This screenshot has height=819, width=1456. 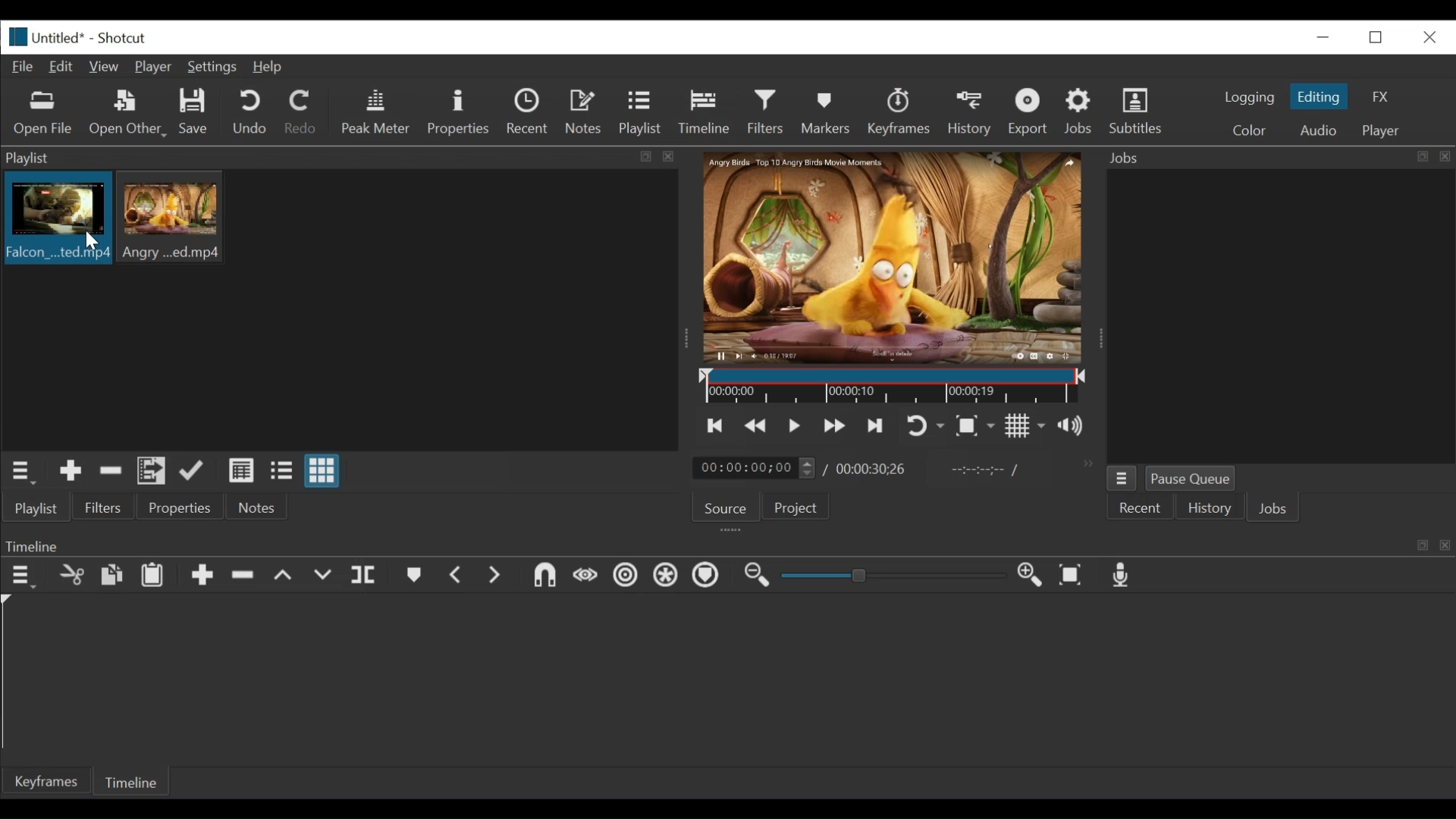 I want to click on properties, so click(x=181, y=508).